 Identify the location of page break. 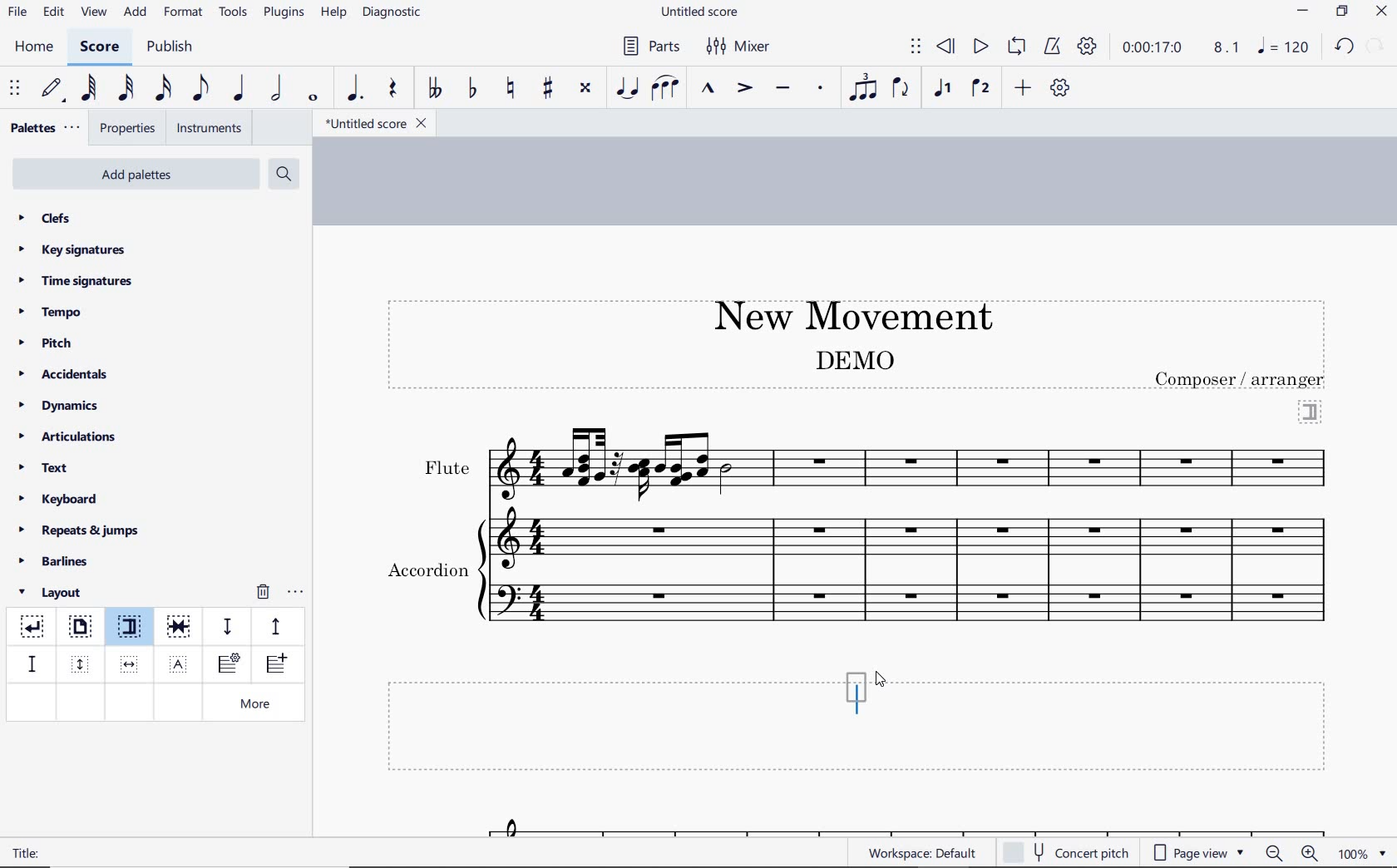
(79, 629).